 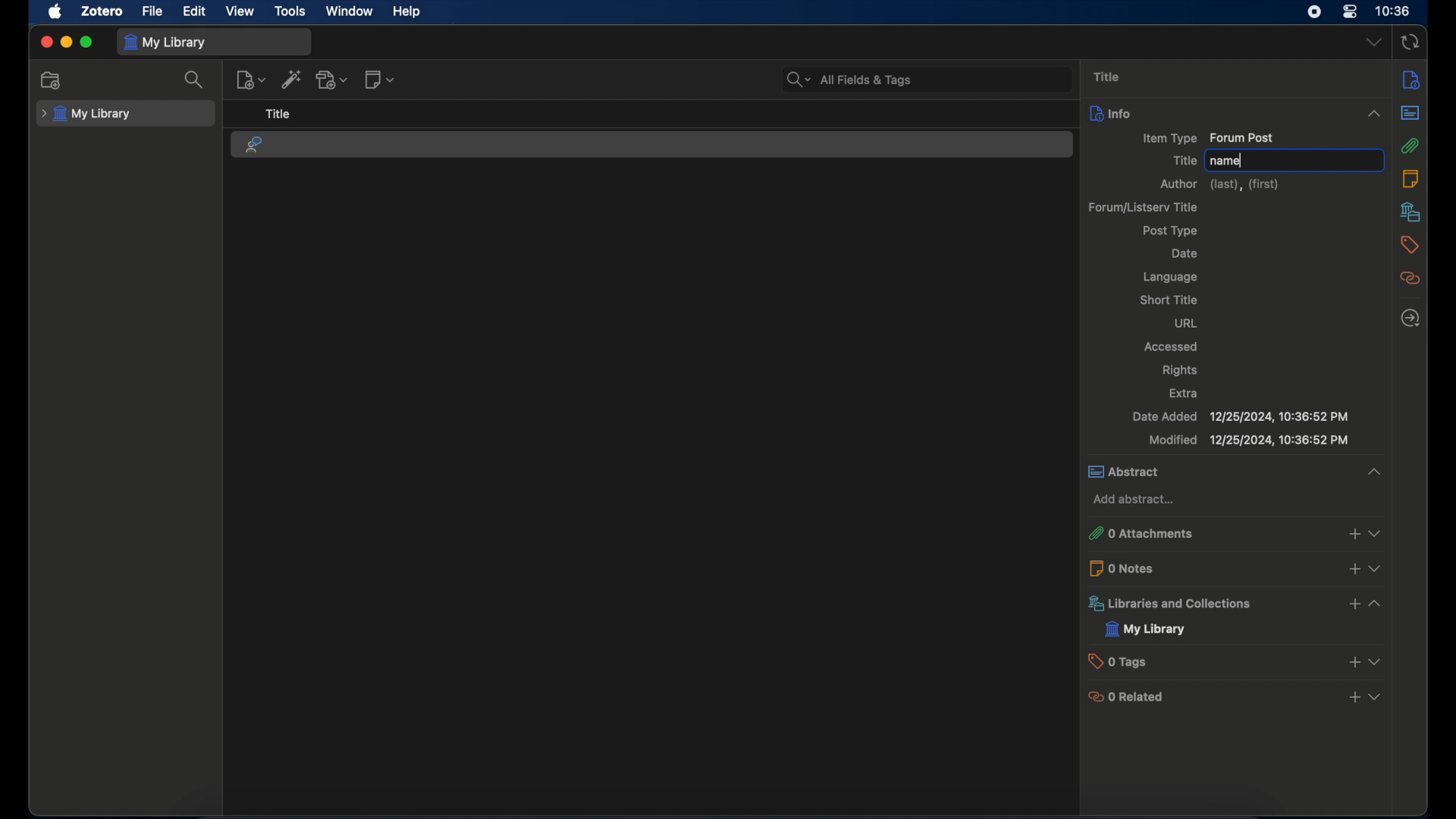 I want to click on minimize, so click(x=65, y=42).